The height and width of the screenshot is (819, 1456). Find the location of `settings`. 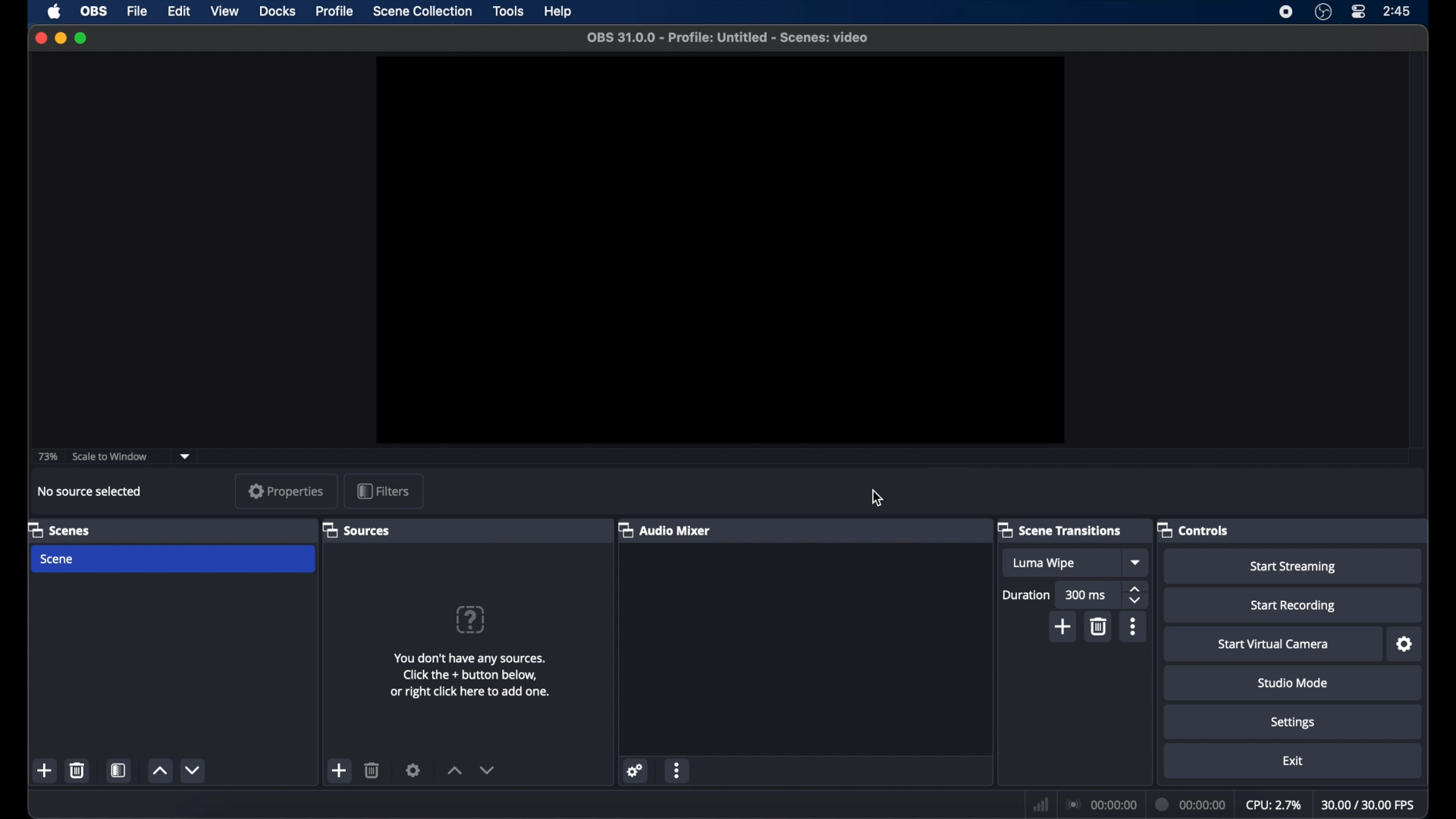

settings is located at coordinates (1293, 723).